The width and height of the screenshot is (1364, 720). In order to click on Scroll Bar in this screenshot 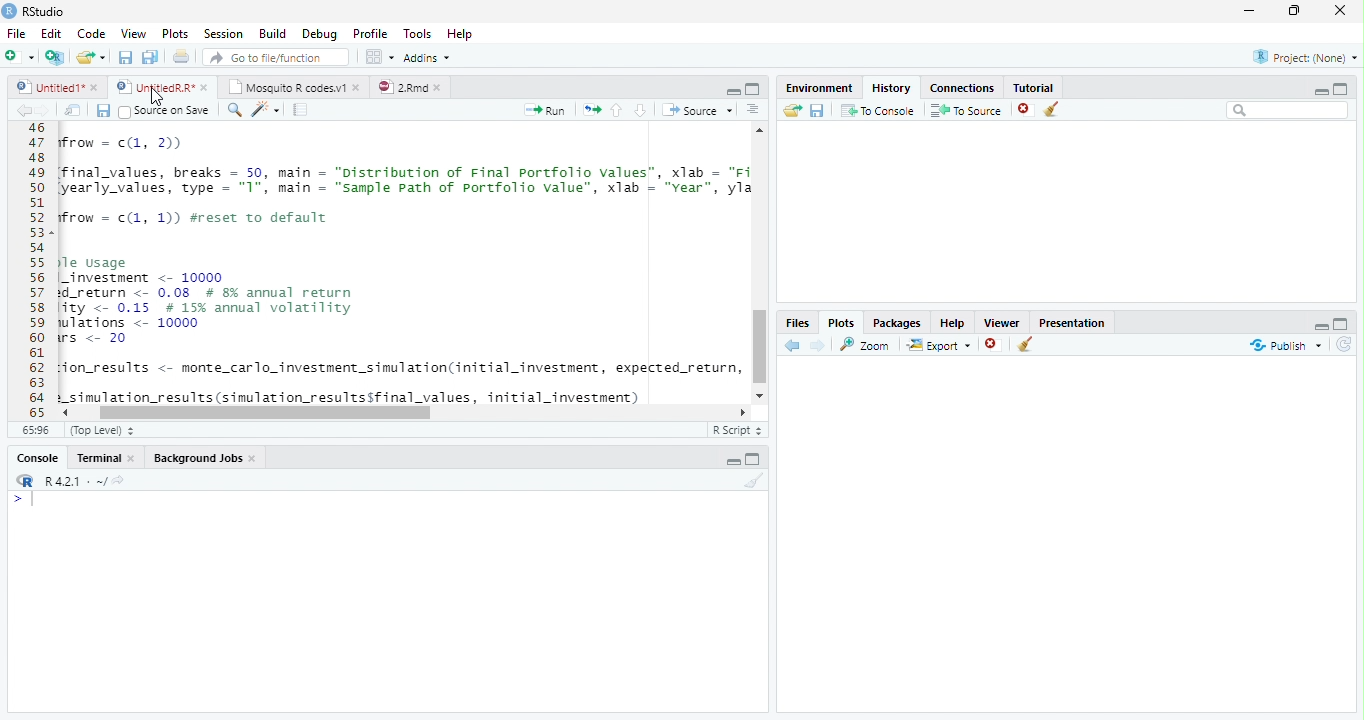, I will do `click(760, 348)`.